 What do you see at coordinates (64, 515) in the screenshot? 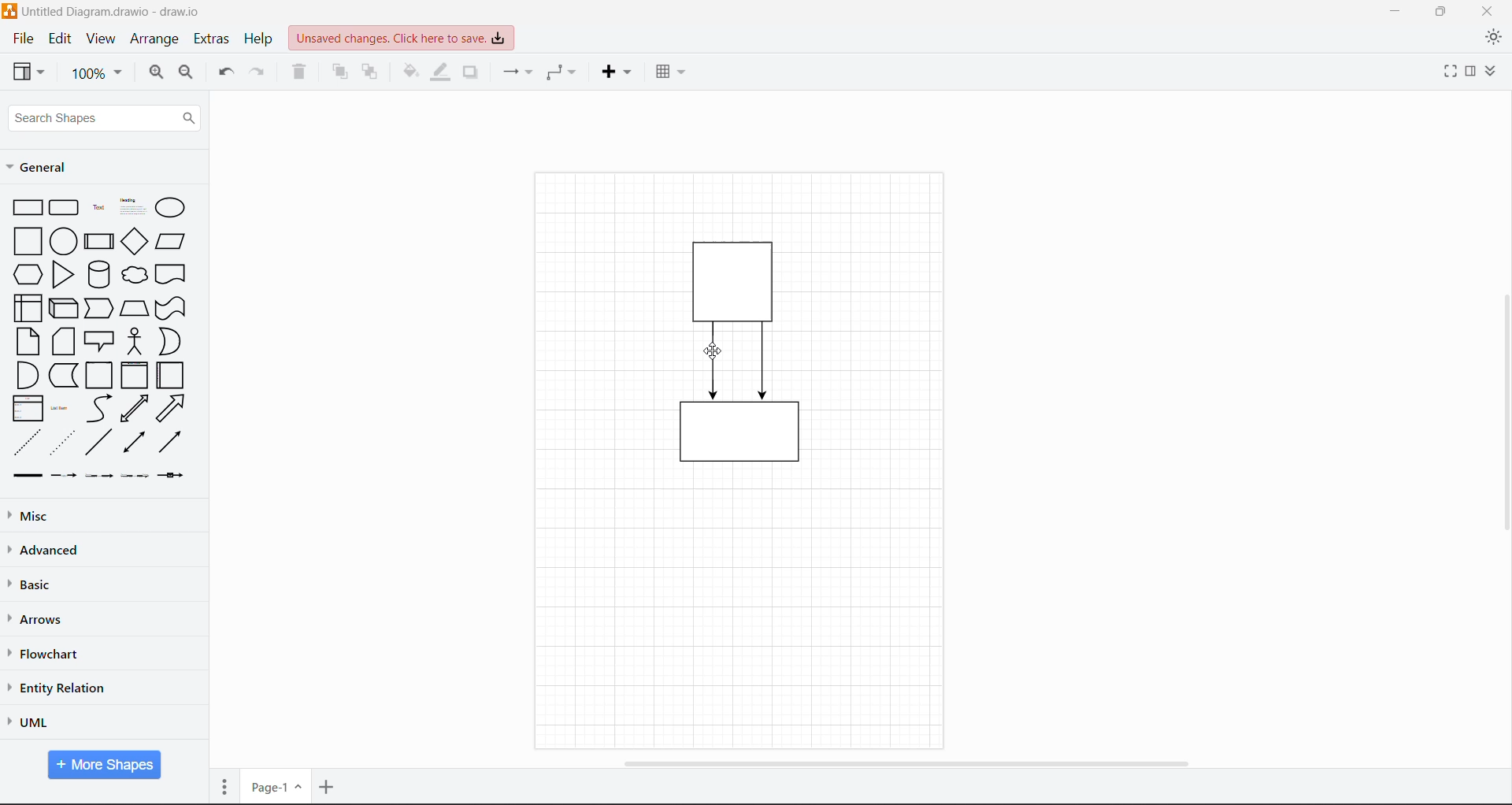
I see `Misc` at bounding box center [64, 515].